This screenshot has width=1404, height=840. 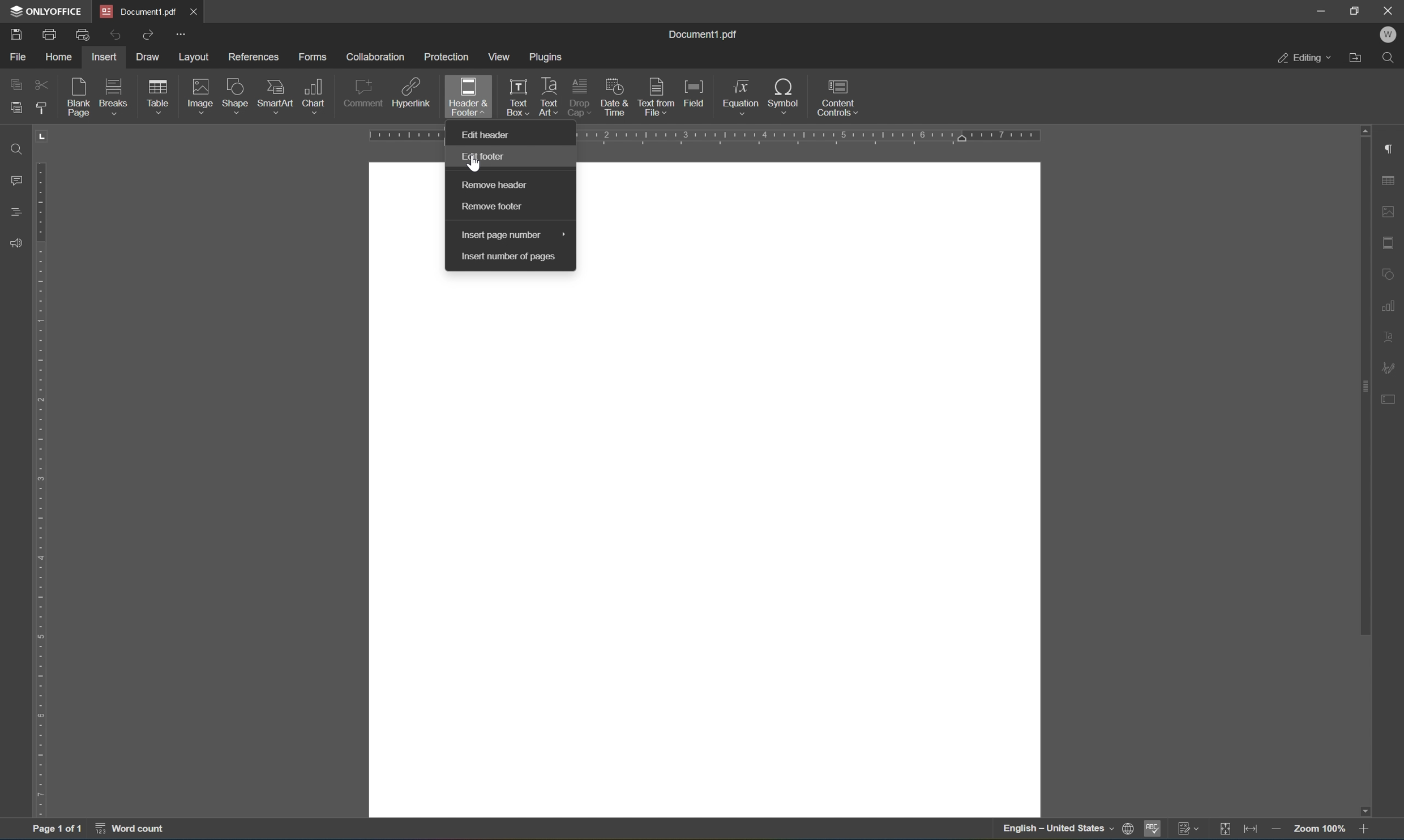 I want to click on equation, so click(x=742, y=96).